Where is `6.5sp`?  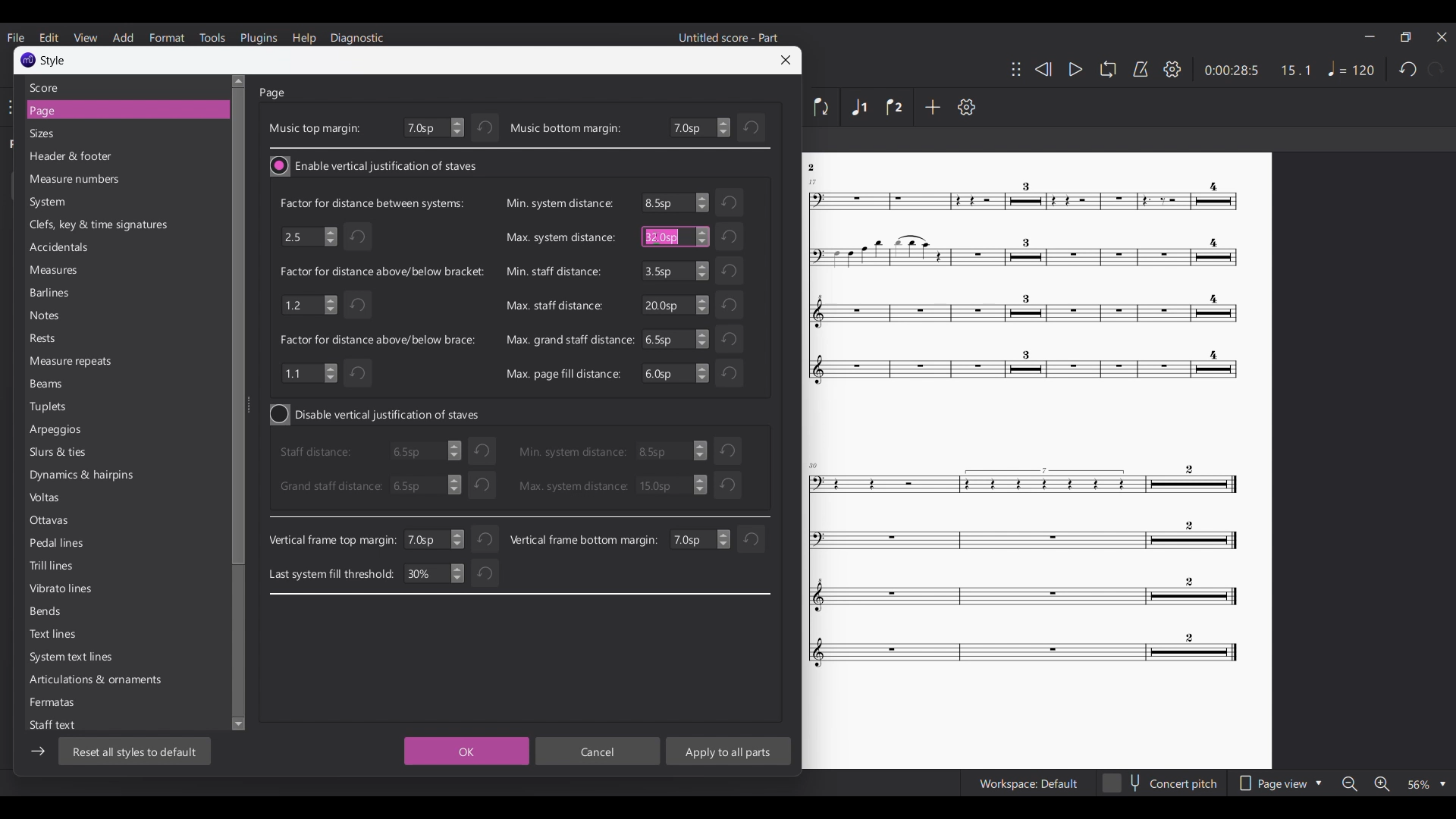 6.5sp is located at coordinates (676, 237).